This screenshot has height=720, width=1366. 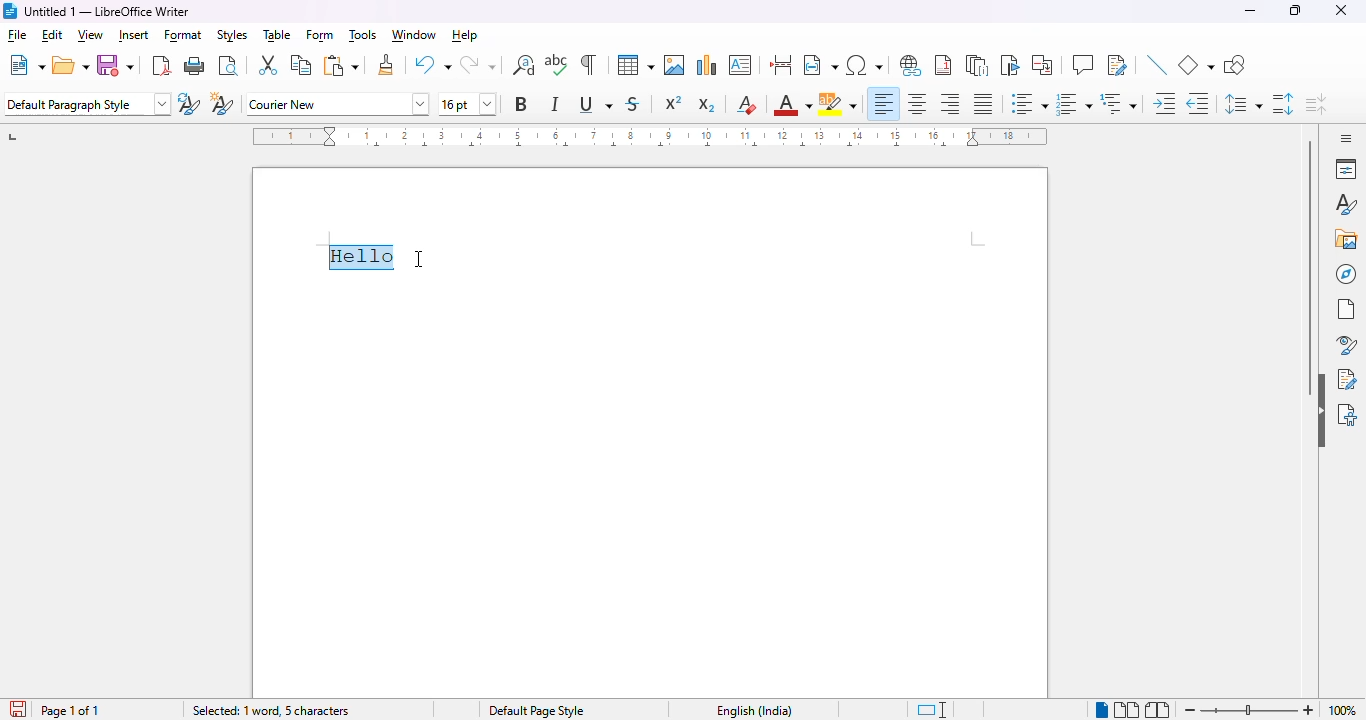 What do you see at coordinates (1196, 64) in the screenshot?
I see `basic shapes` at bounding box center [1196, 64].